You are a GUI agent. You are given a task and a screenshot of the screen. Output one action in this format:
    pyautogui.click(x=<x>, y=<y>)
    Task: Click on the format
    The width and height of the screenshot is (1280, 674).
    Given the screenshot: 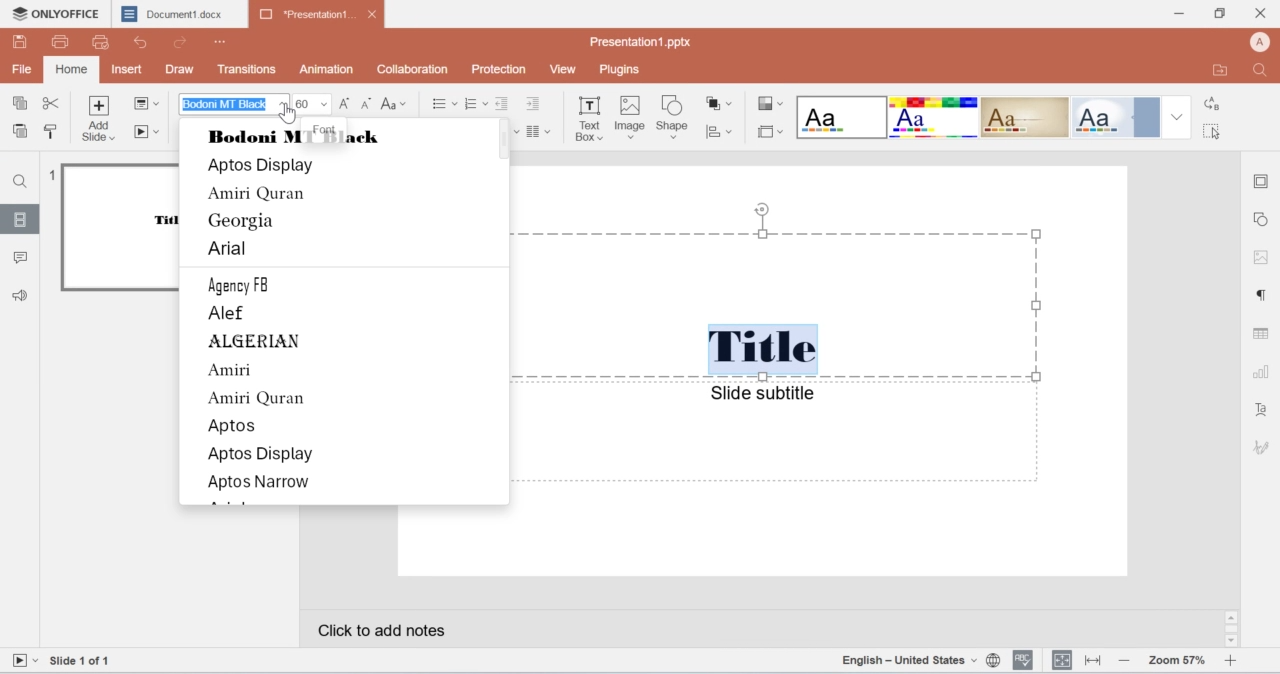 What is the action you would take?
    pyautogui.click(x=995, y=117)
    